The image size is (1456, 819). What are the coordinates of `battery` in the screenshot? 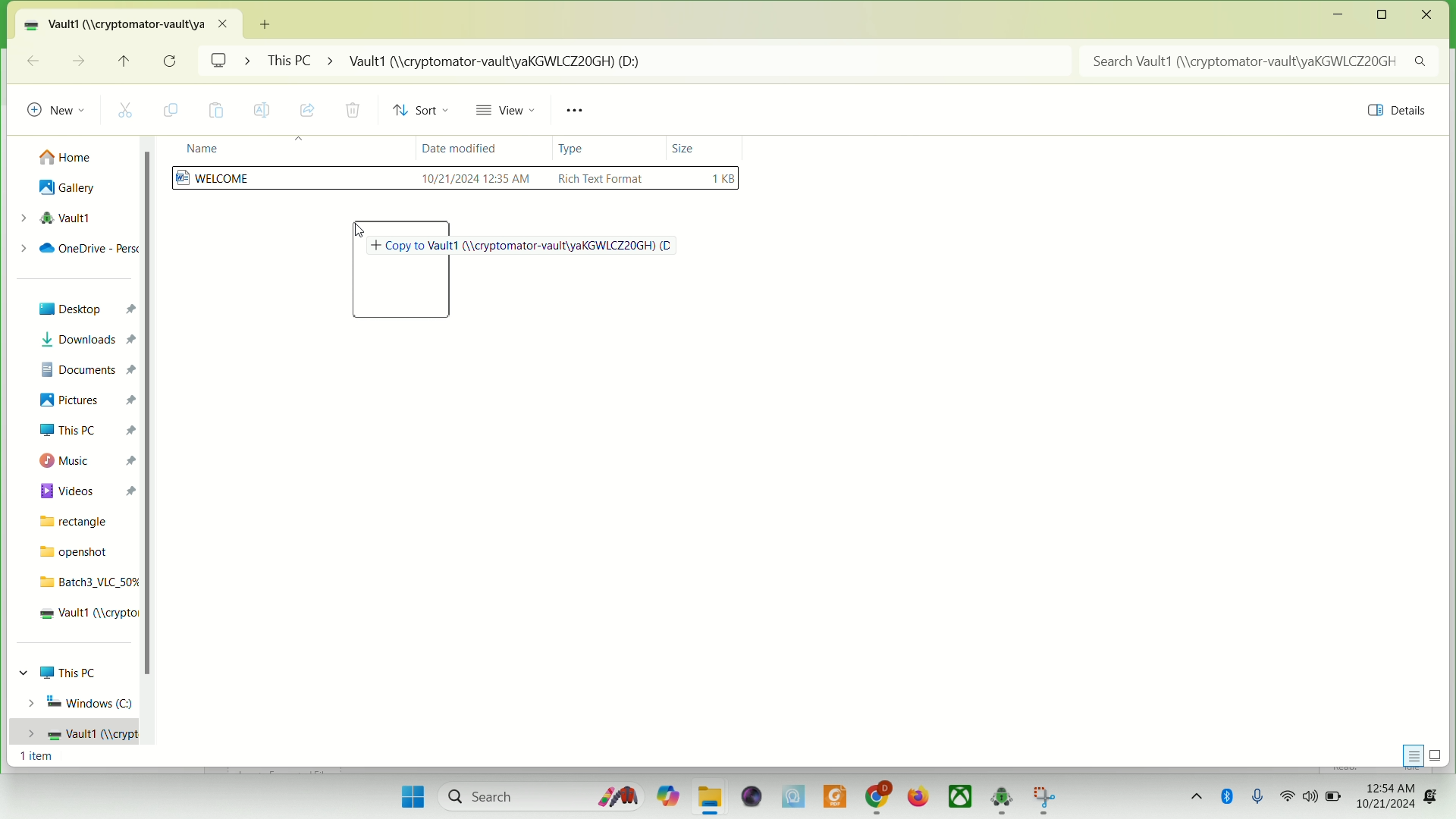 It's located at (1334, 797).